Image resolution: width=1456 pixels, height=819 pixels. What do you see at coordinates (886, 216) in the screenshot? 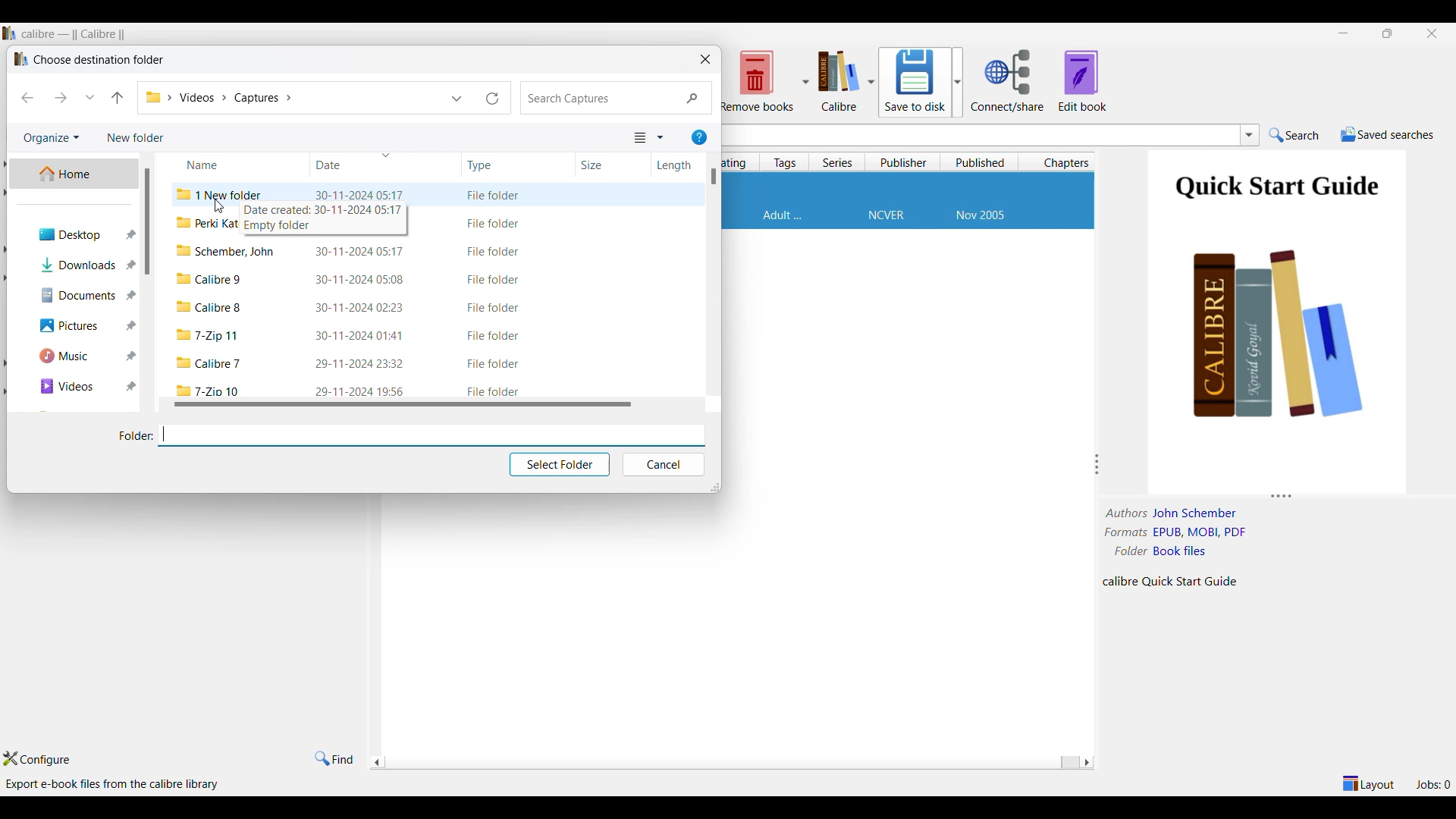
I see `Publisher` at bounding box center [886, 216].